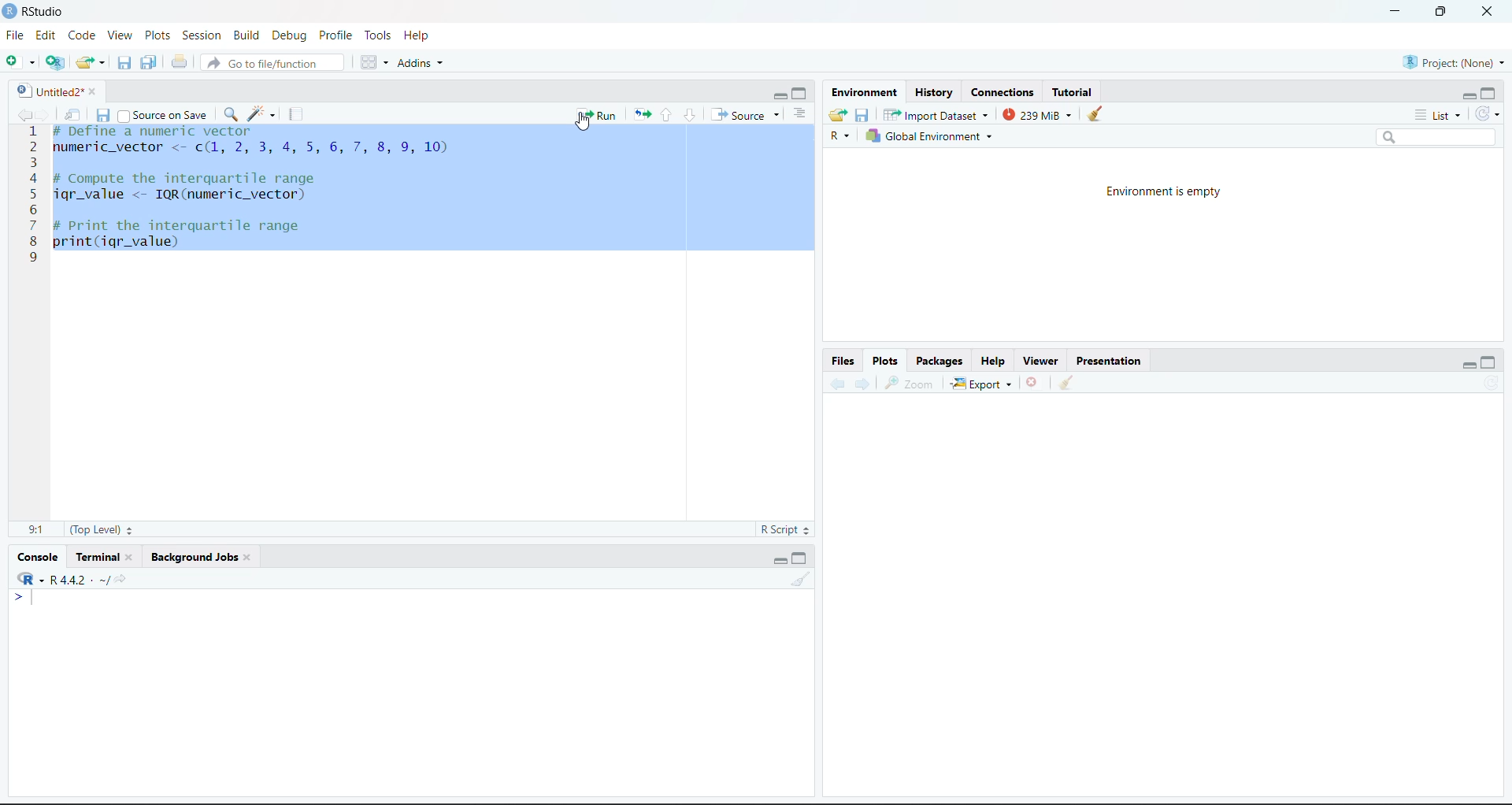 The width and height of the screenshot is (1512, 805). What do you see at coordinates (103, 114) in the screenshot?
I see `Save current document (Ctrl + S)` at bounding box center [103, 114].